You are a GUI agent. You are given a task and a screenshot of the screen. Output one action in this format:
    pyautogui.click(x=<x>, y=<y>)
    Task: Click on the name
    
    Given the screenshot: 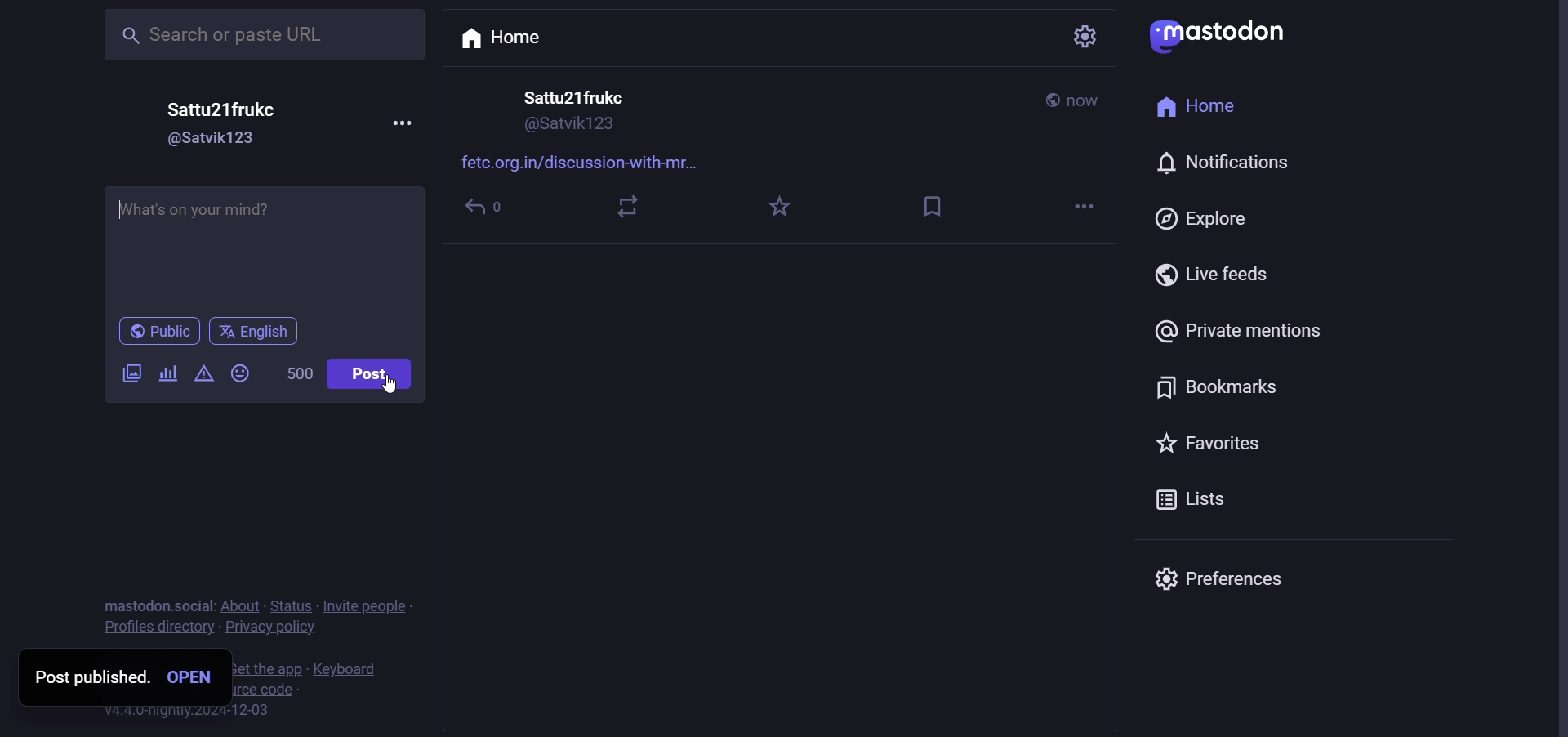 What is the action you would take?
    pyautogui.click(x=573, y=99)
    